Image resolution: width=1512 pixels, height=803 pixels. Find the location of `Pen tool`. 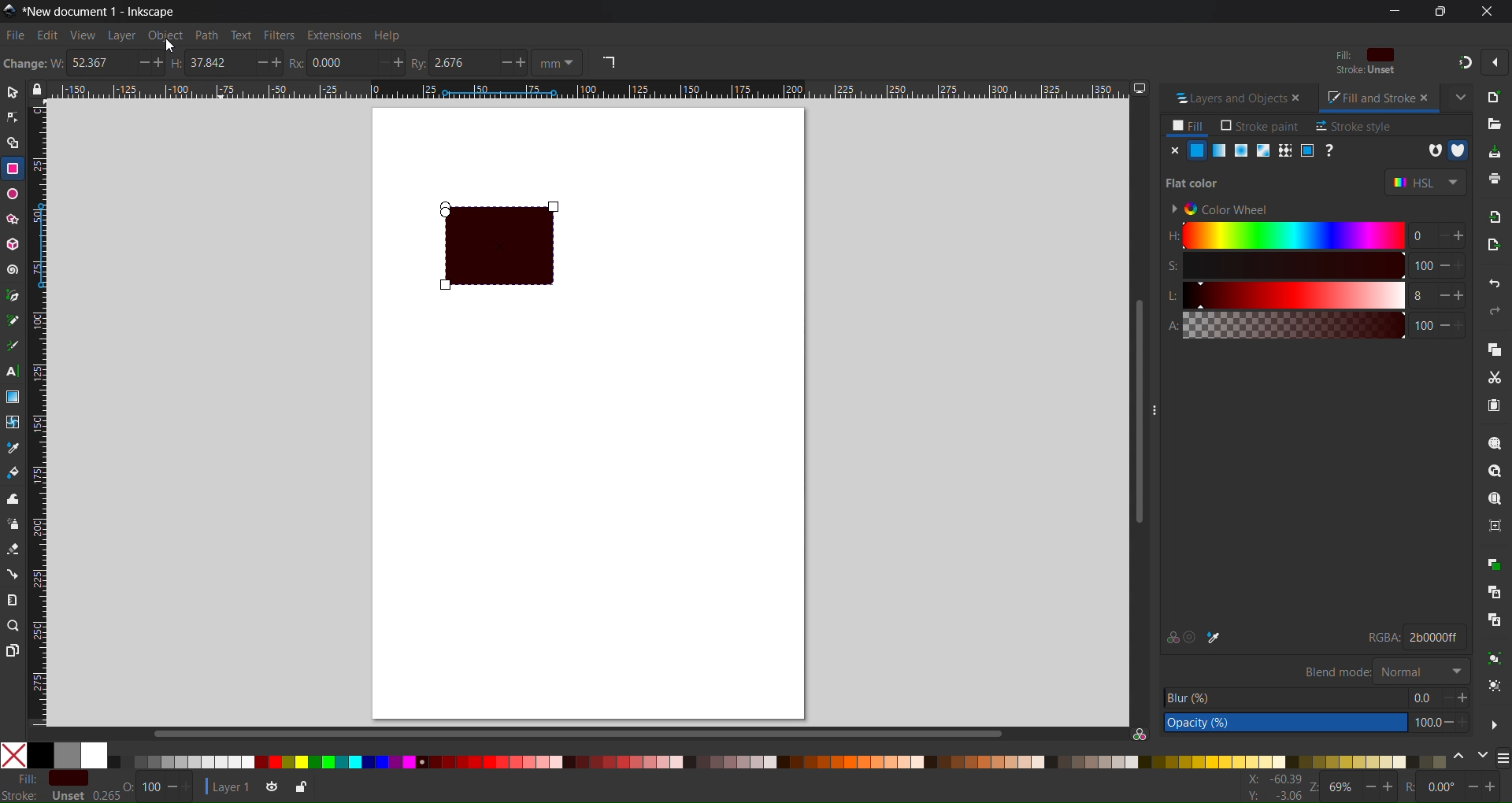

Pen tool is located at coordinates (13, 294).